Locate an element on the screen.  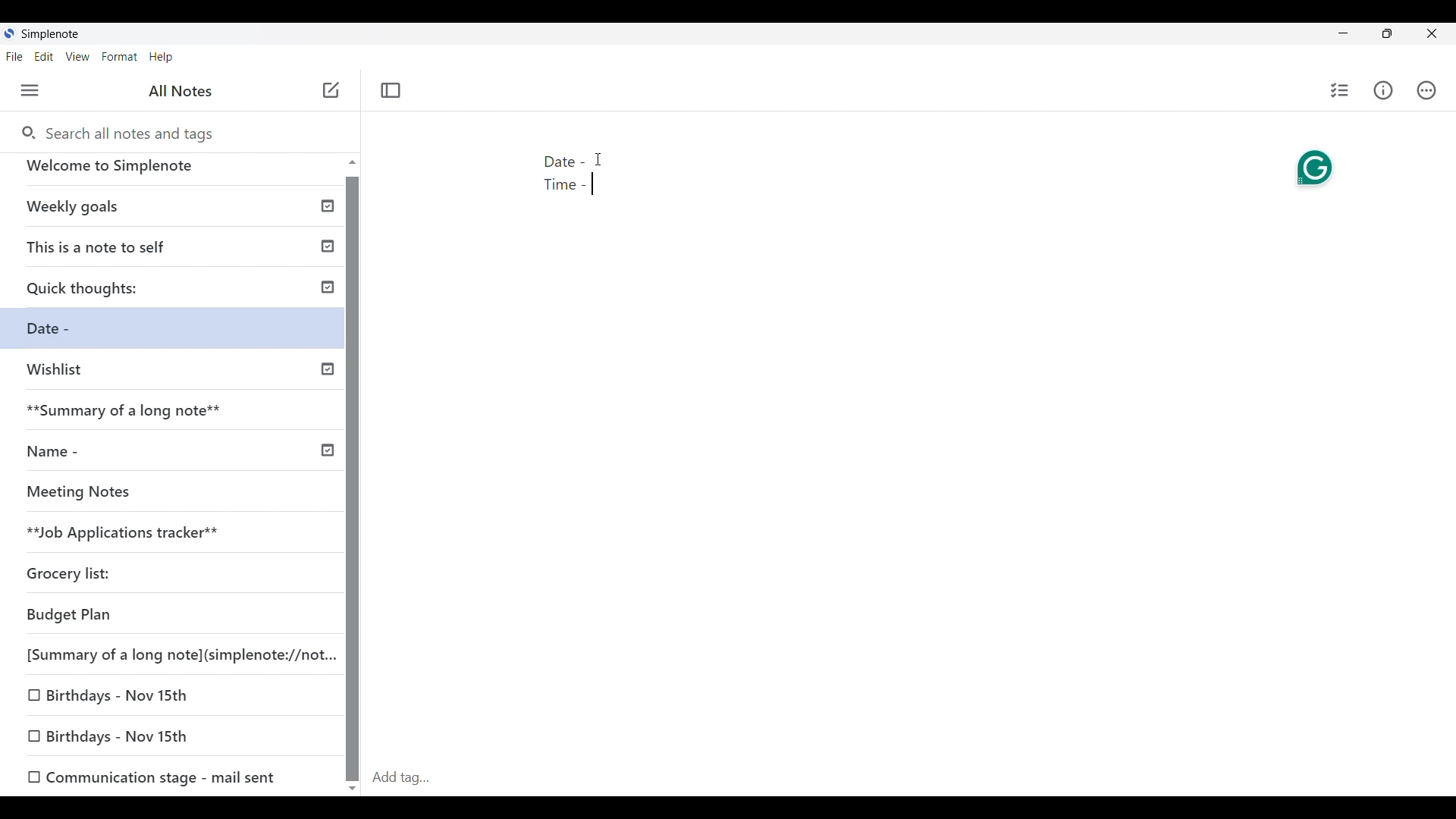
Title of left panel is located at coordinates (181, 91).